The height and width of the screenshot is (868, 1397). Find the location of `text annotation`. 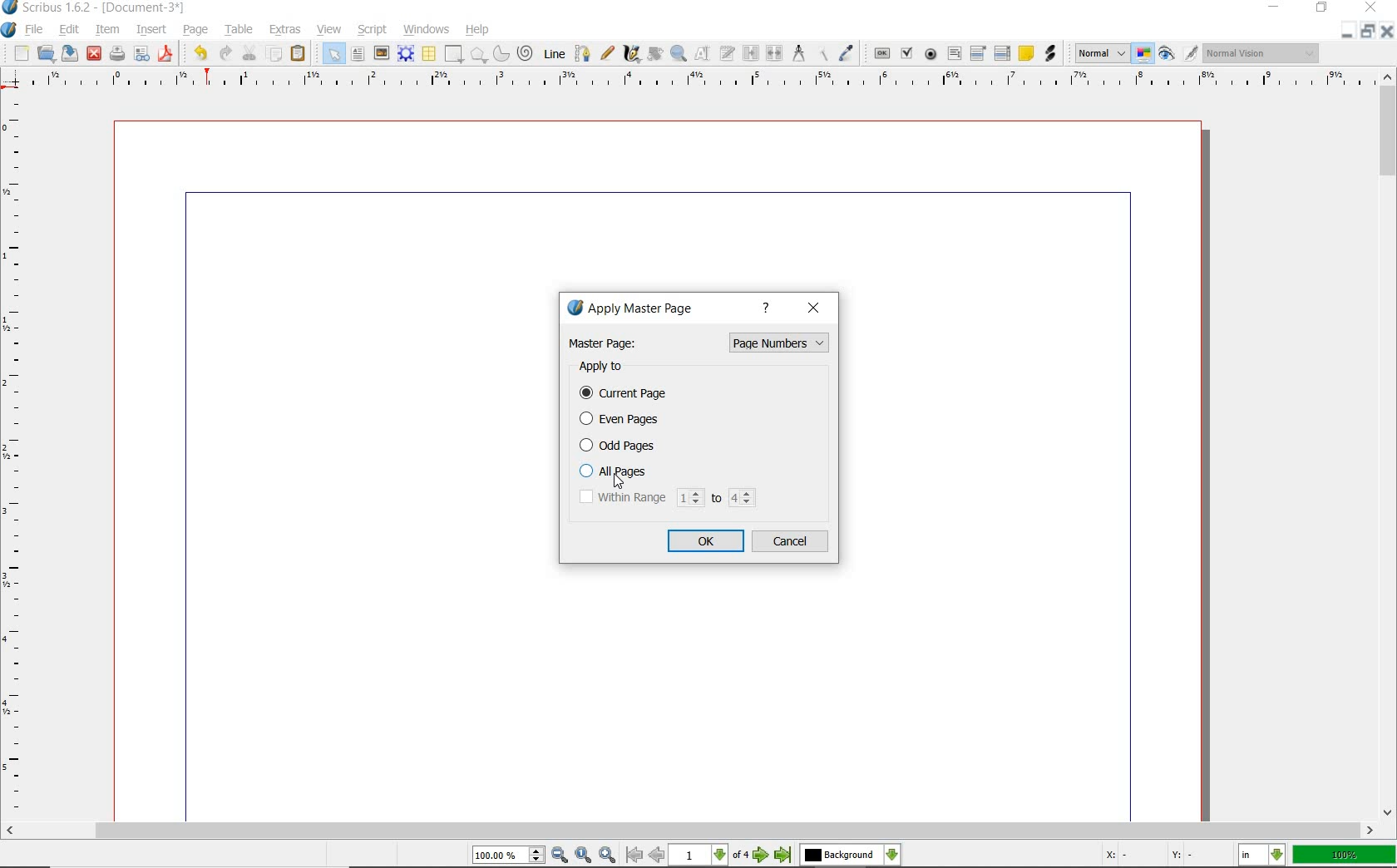

text annotation is located at coordinates (1024, 53).